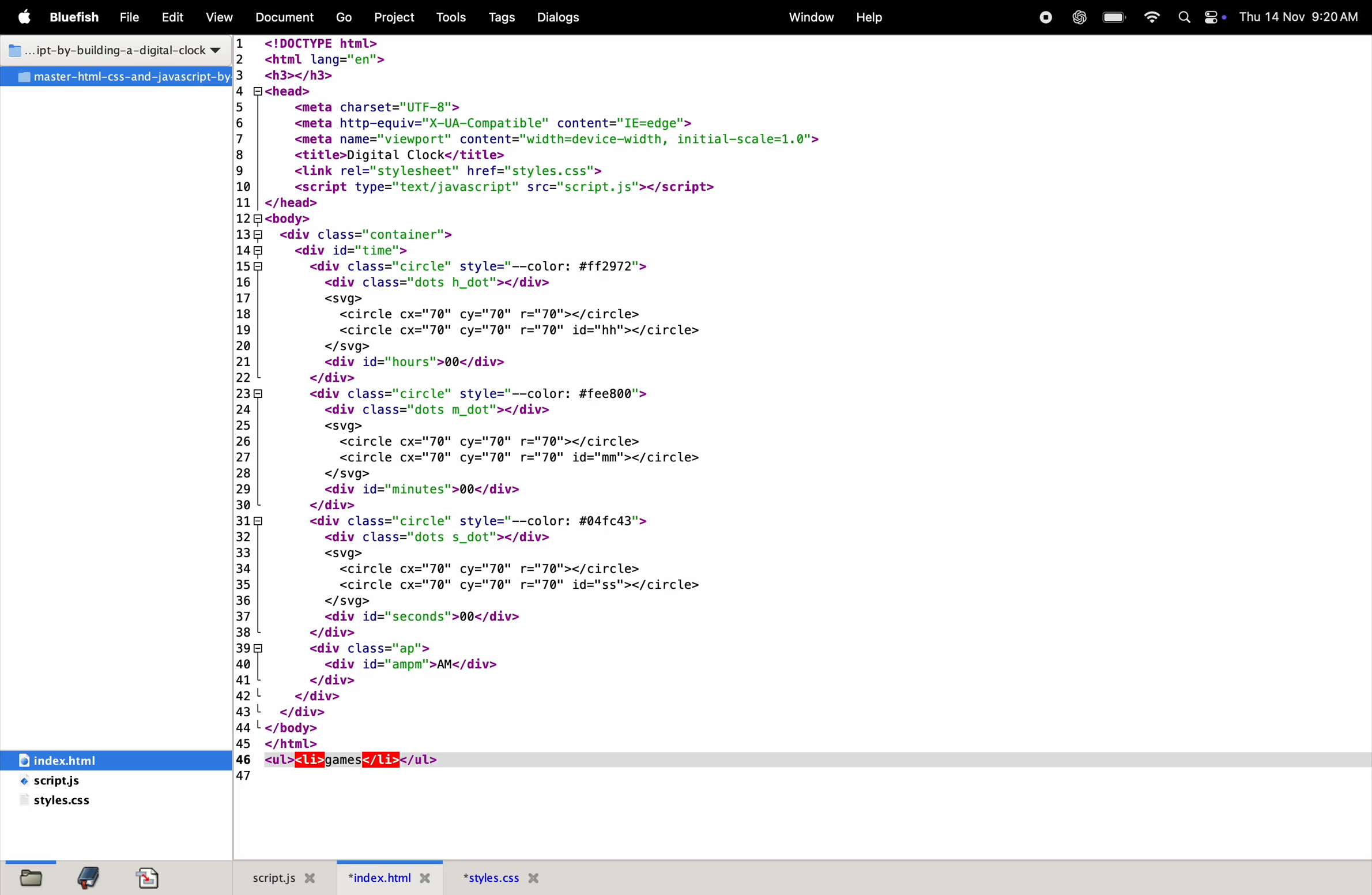 Image resolution: width=1372 pixels, height=895 pixels. Describe the element at coordinates (809, 16) in the screenshot. I see `window` at that location.